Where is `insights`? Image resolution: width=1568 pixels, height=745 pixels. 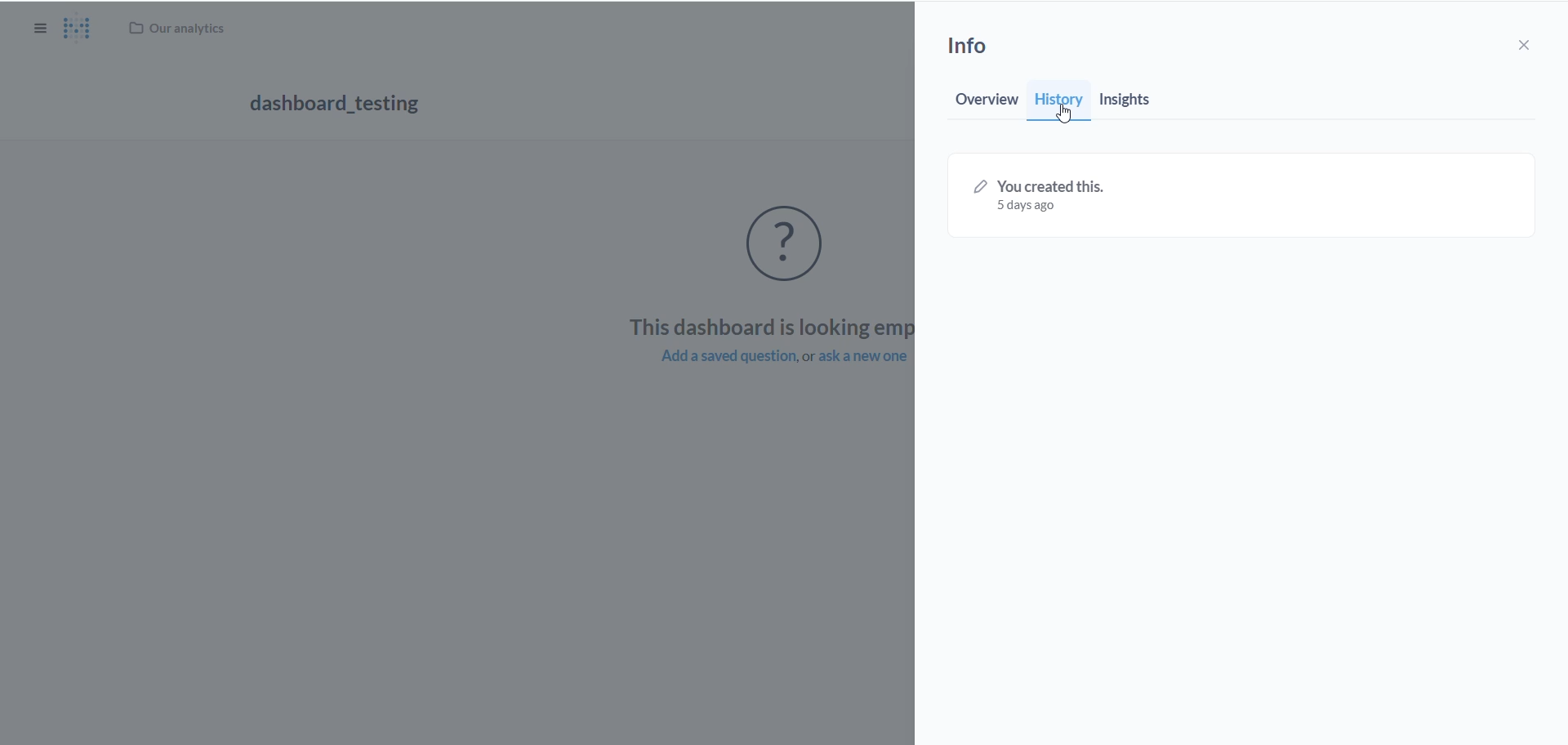 insights is located at coordinates (1129, 103).